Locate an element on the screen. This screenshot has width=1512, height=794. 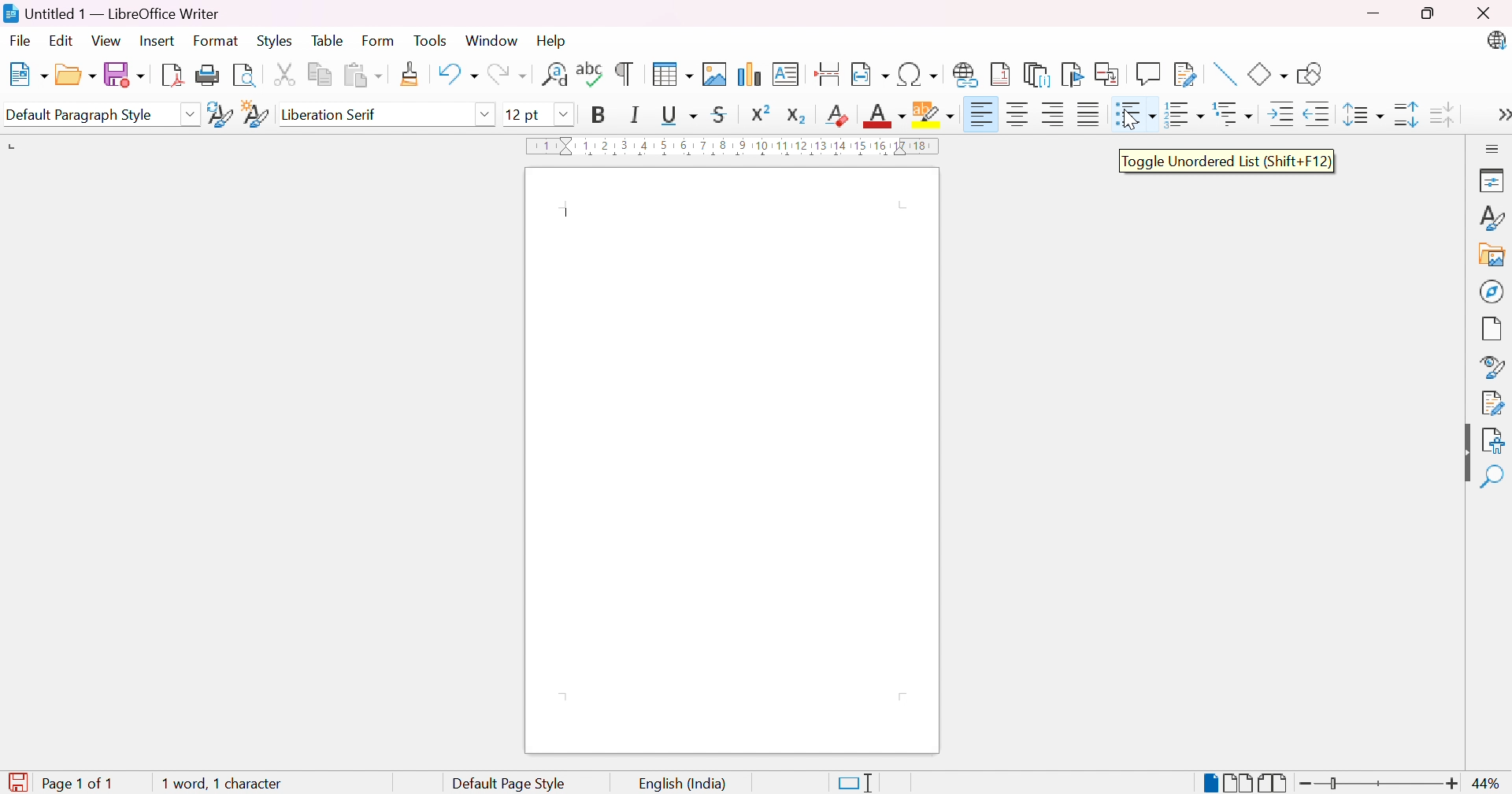
Clone formatting is located at coordinates (411, 75).